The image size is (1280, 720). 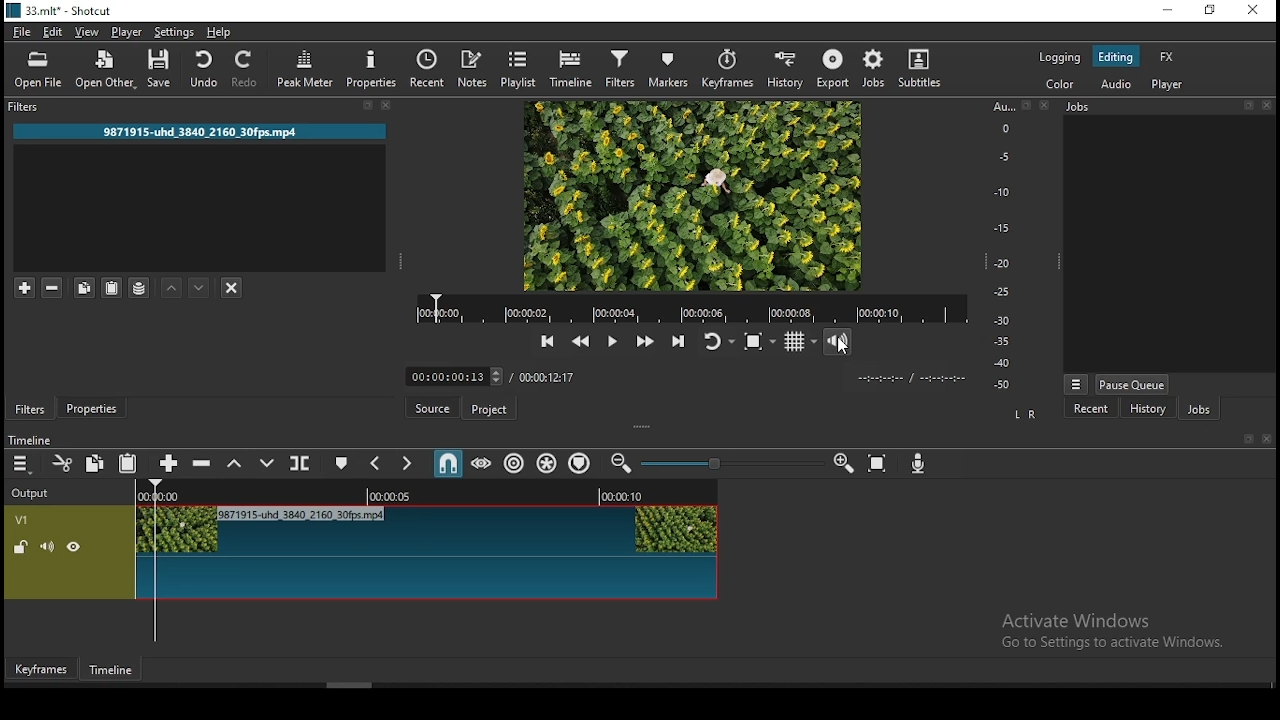 I want to click on keyframes, so click(x=727, y=69).